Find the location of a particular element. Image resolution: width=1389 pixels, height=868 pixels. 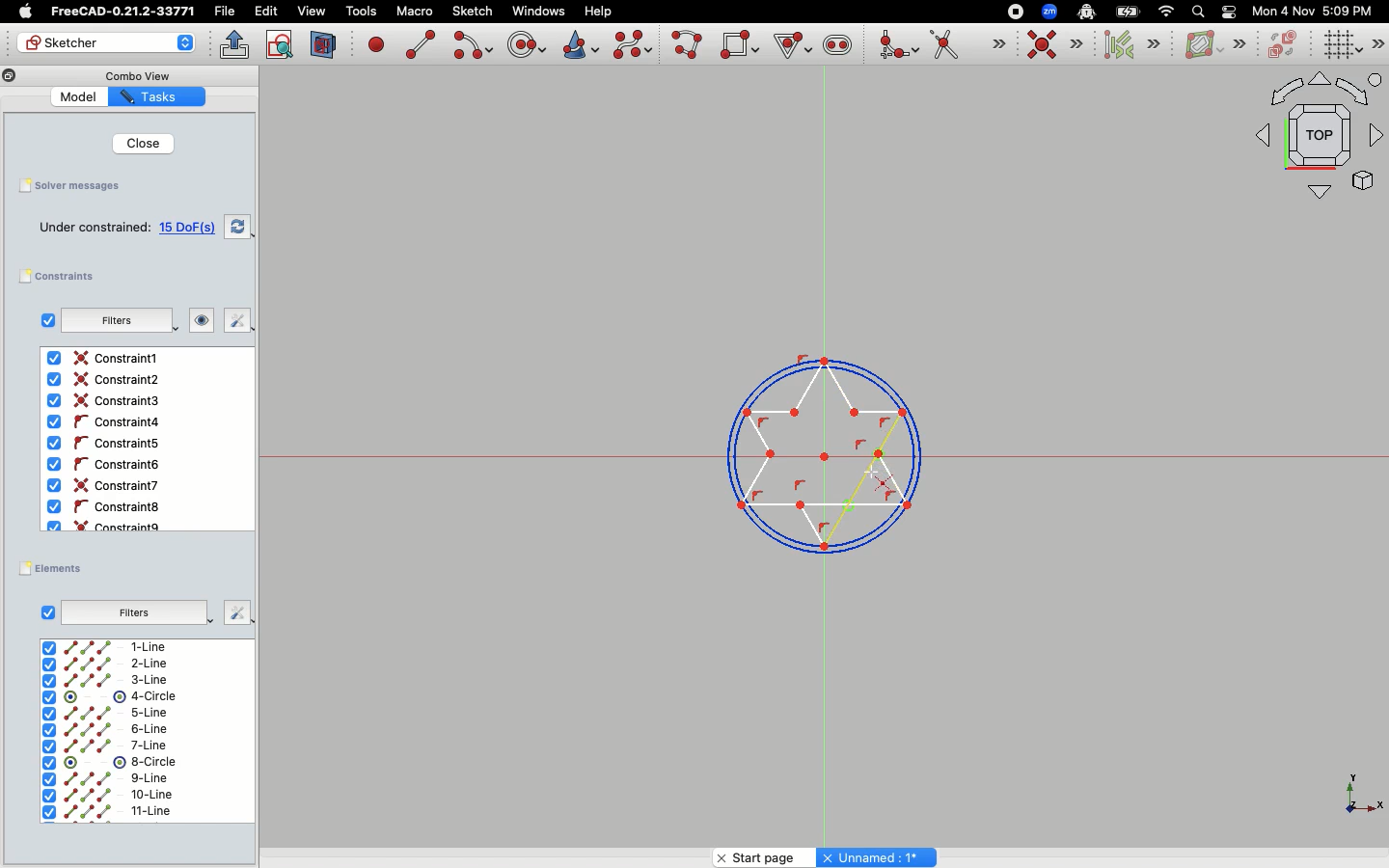

Edit is located at coordinates (266, 12).